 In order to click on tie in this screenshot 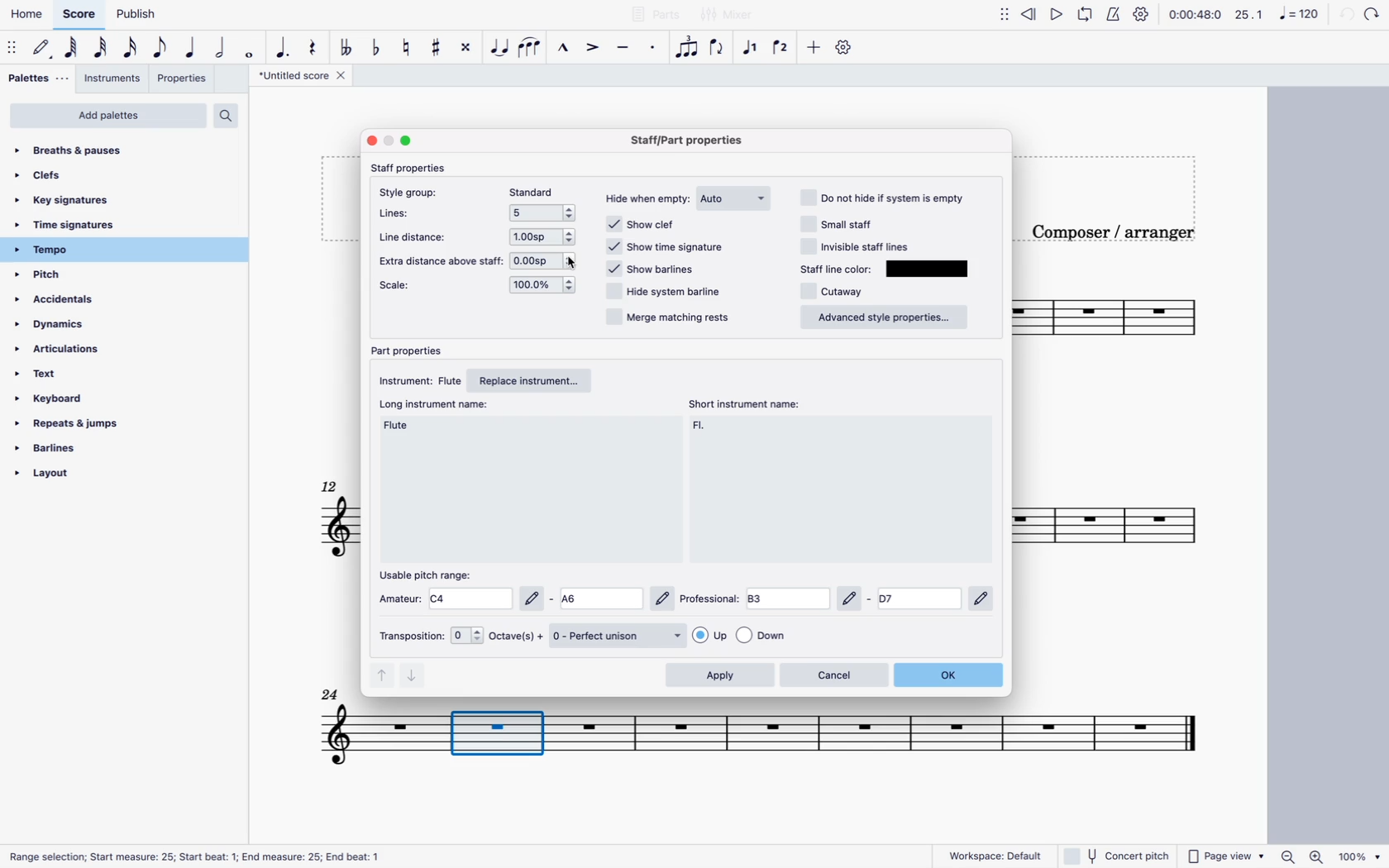, I will do `click(499, 46)`.